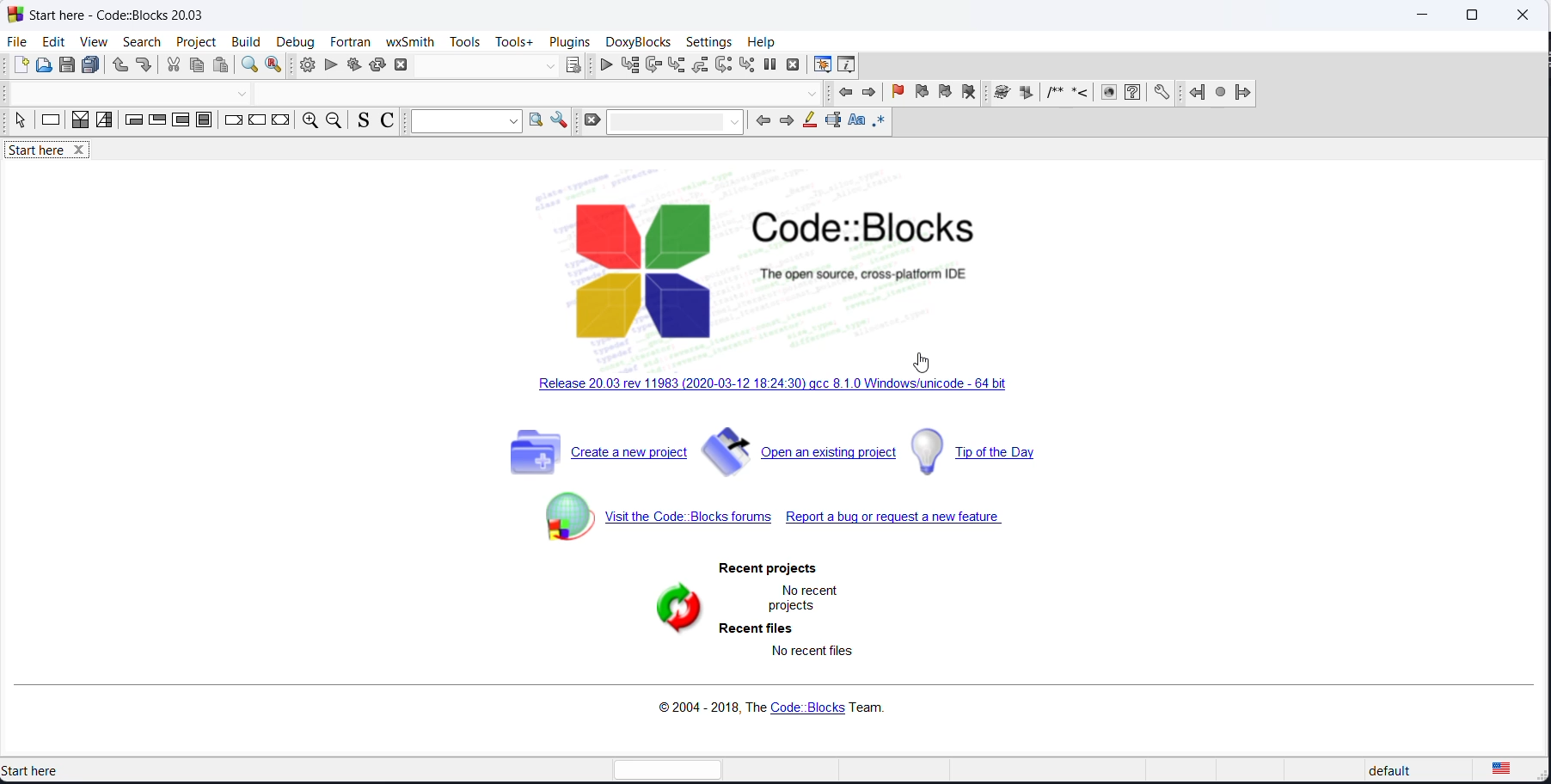  I want to click on jump forward, so click(1244, 95).